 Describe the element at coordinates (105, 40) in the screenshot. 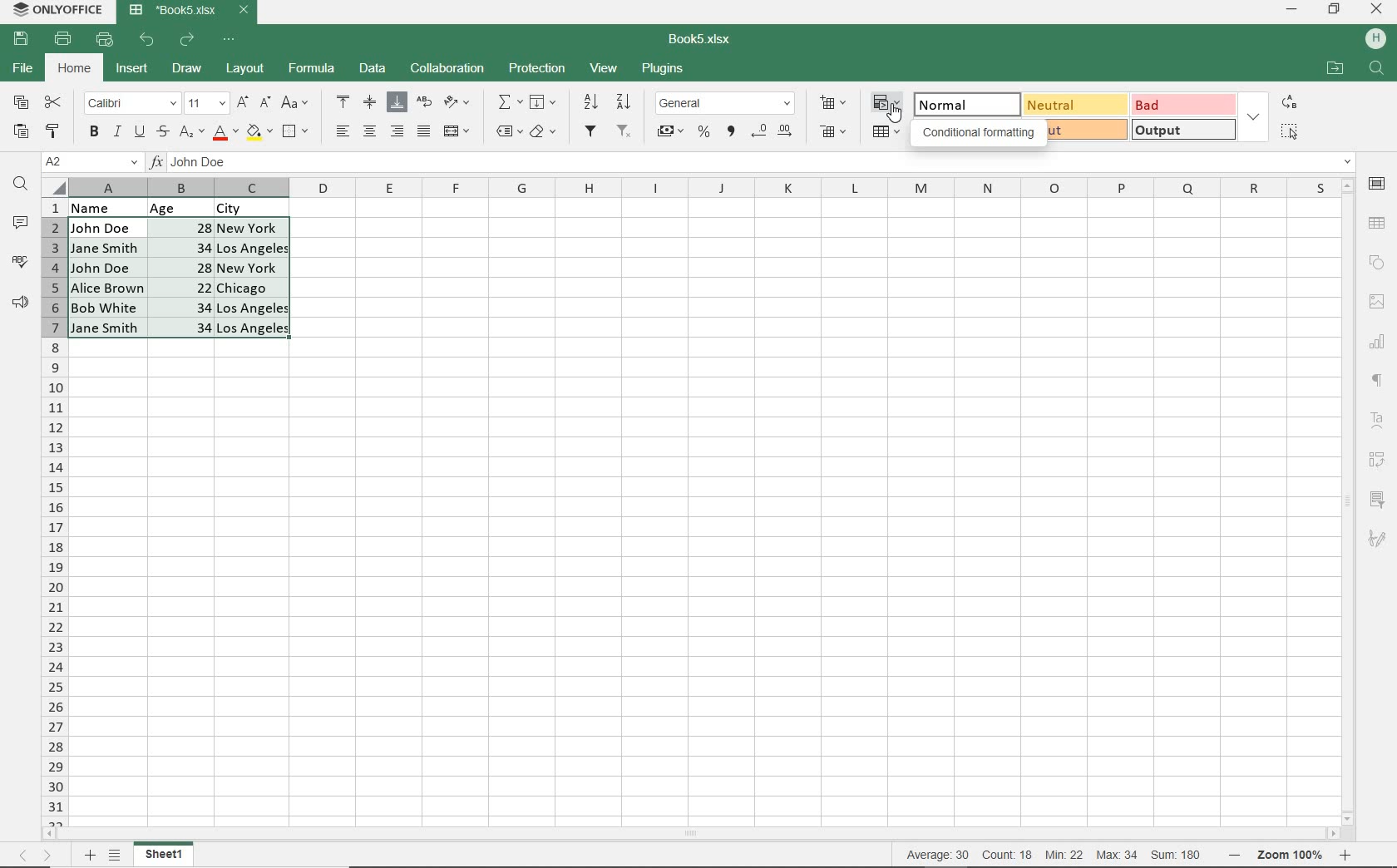

I see `QUICK PRINT` at that location.